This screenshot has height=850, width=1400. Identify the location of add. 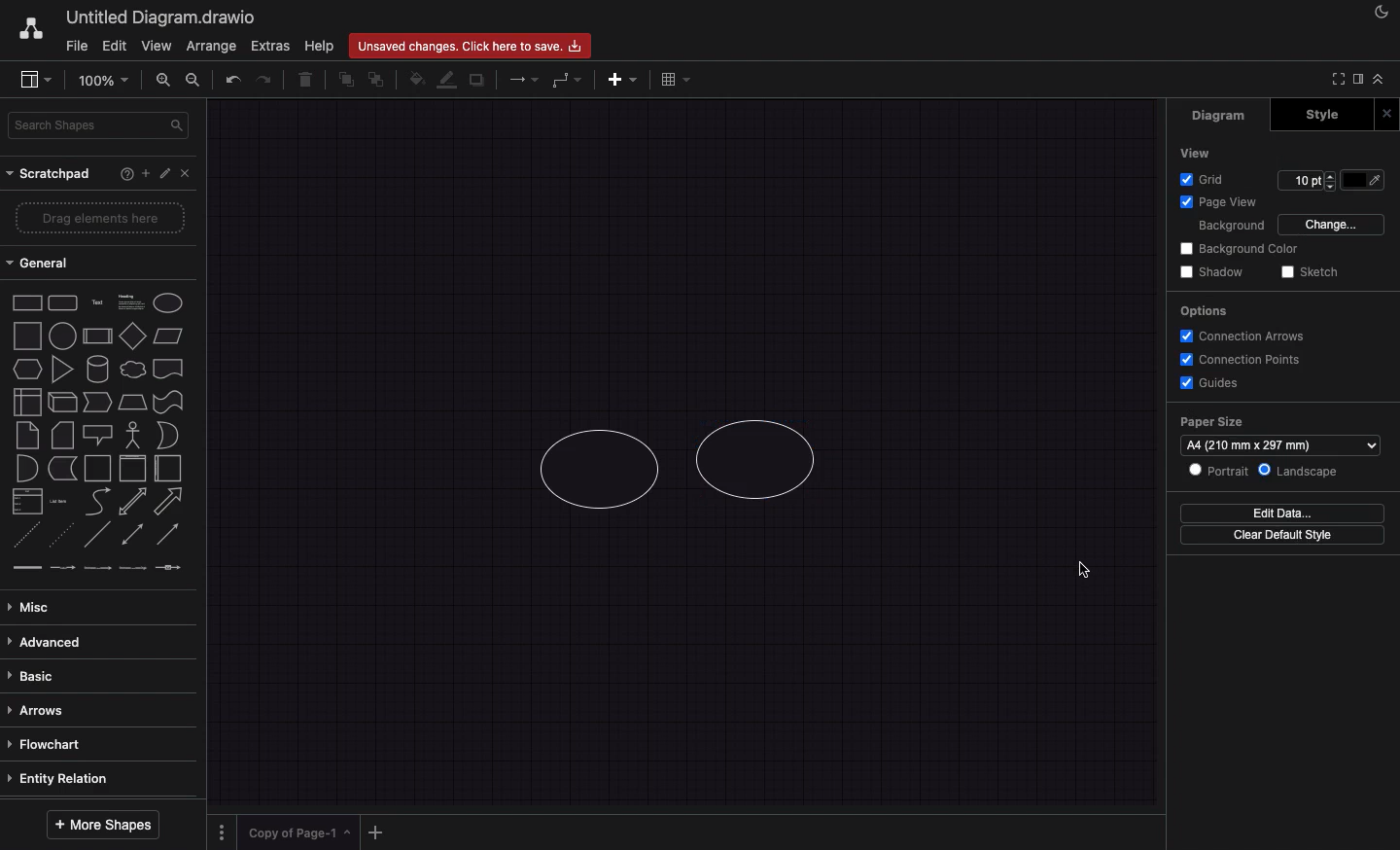
(145, 173).